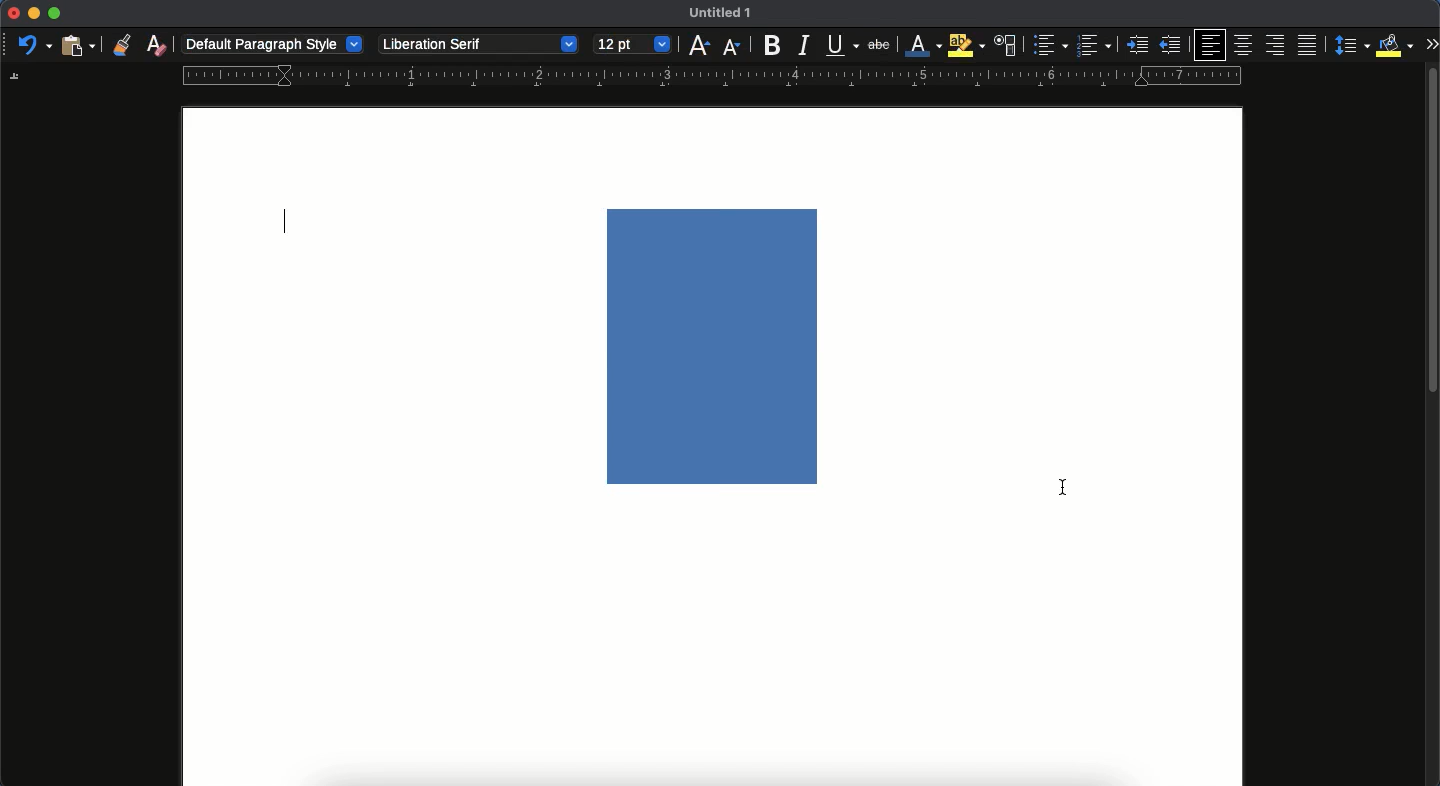  Describe the element at coordinates (1433, 429) in the screenshot. I see `scroll` at that location.